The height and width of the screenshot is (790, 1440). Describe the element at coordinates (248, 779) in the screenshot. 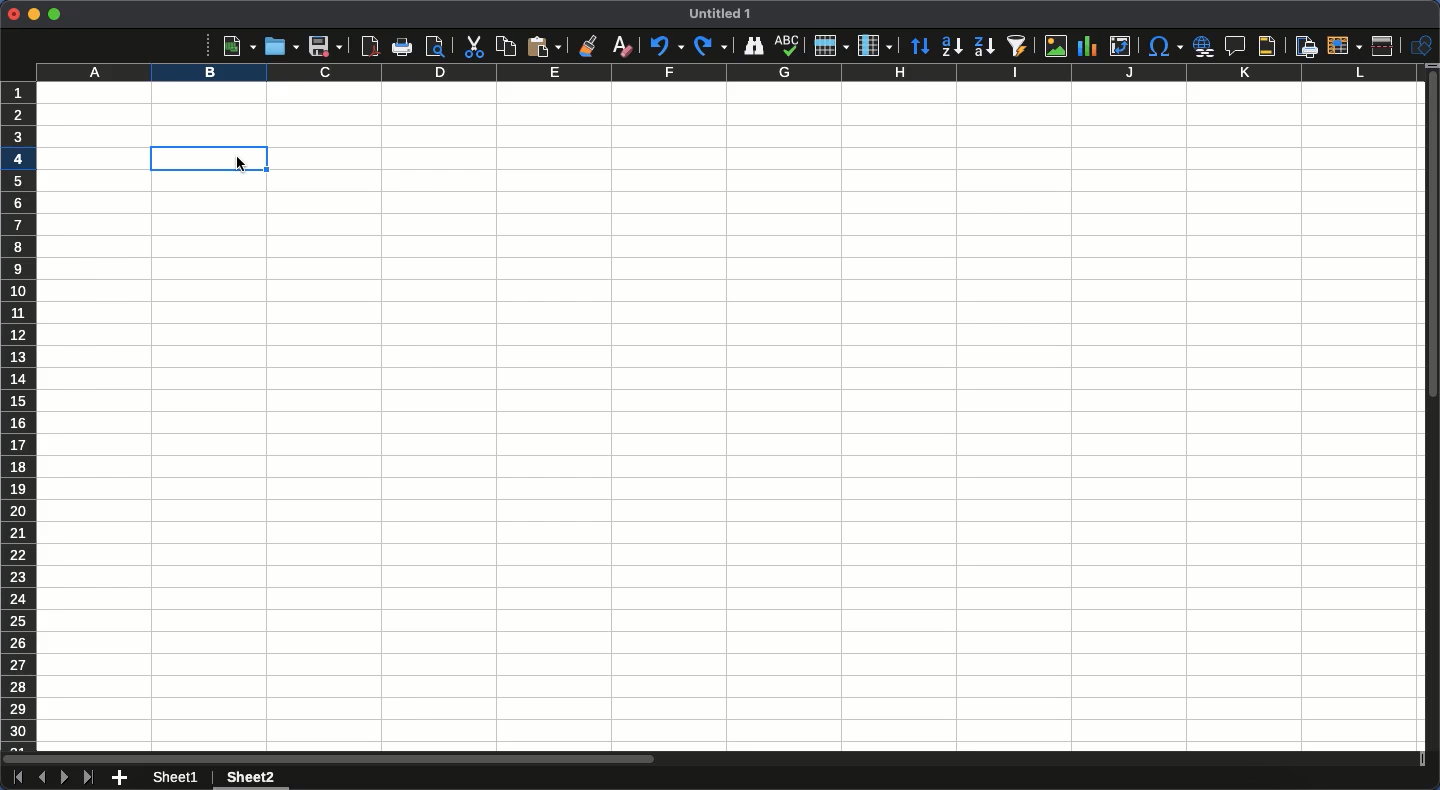

I see `Sheet 2` at that location.